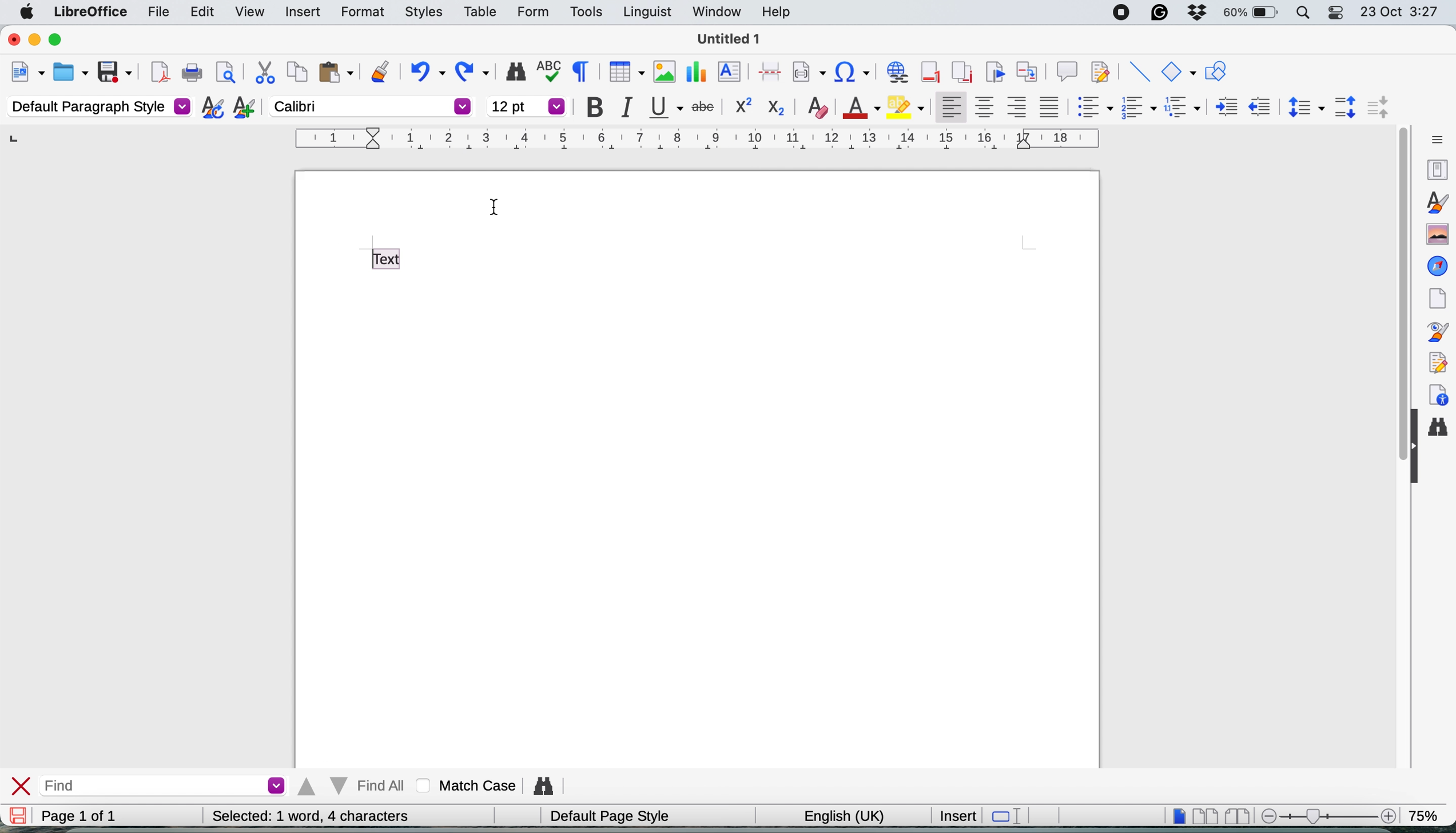 Image resolution: width=1456 pixels, height=833 pixels. What do you see at coordinates (895, 73) in the screenshot?
I see `insert hyperlink` at bounding box center [895, 73].